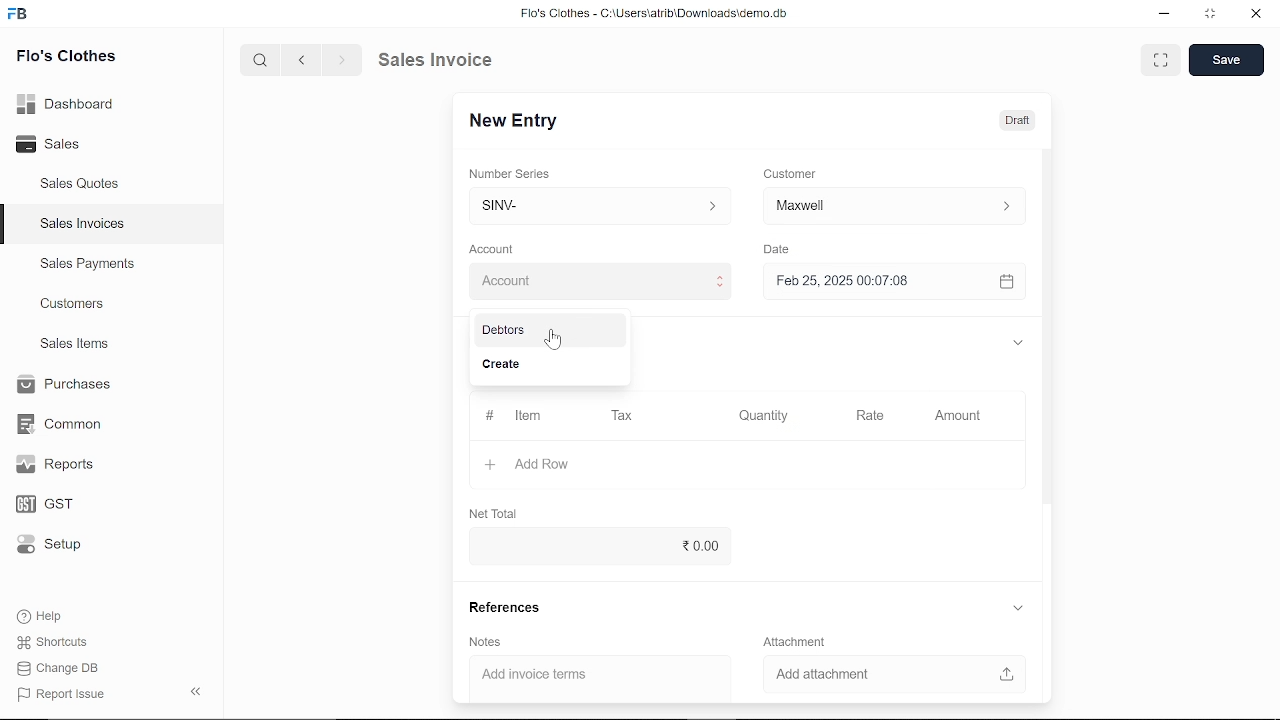 This screenshot has height=720, width=1280. What do you see at coordinates (54, 544) in the screenshot?
I see `Setup` at bounding box center [54, 544].